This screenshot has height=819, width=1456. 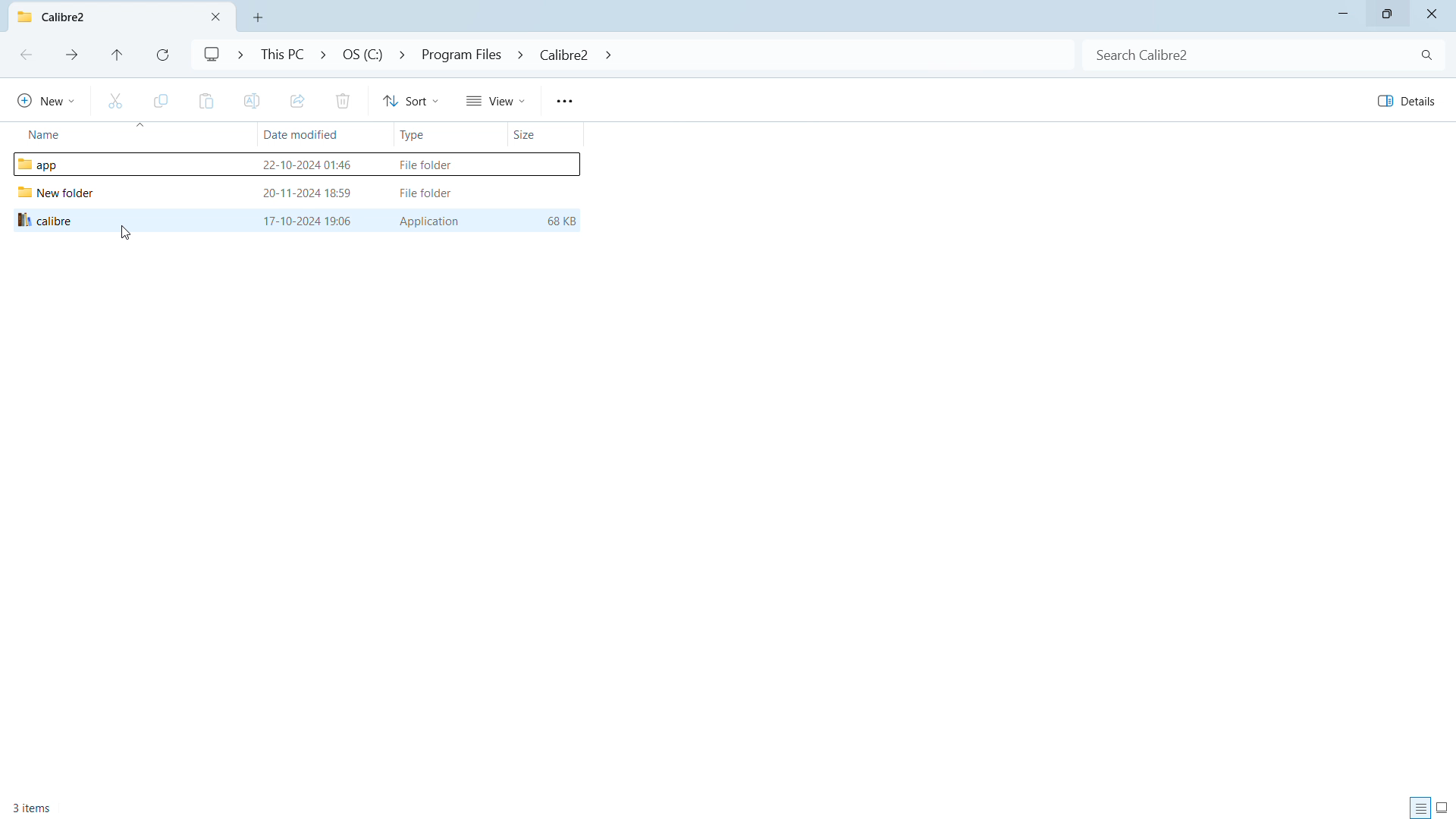 What do you see at coordinates (162, 99) in the screenshot?
I see `copy` at bounding box center [162, 99].